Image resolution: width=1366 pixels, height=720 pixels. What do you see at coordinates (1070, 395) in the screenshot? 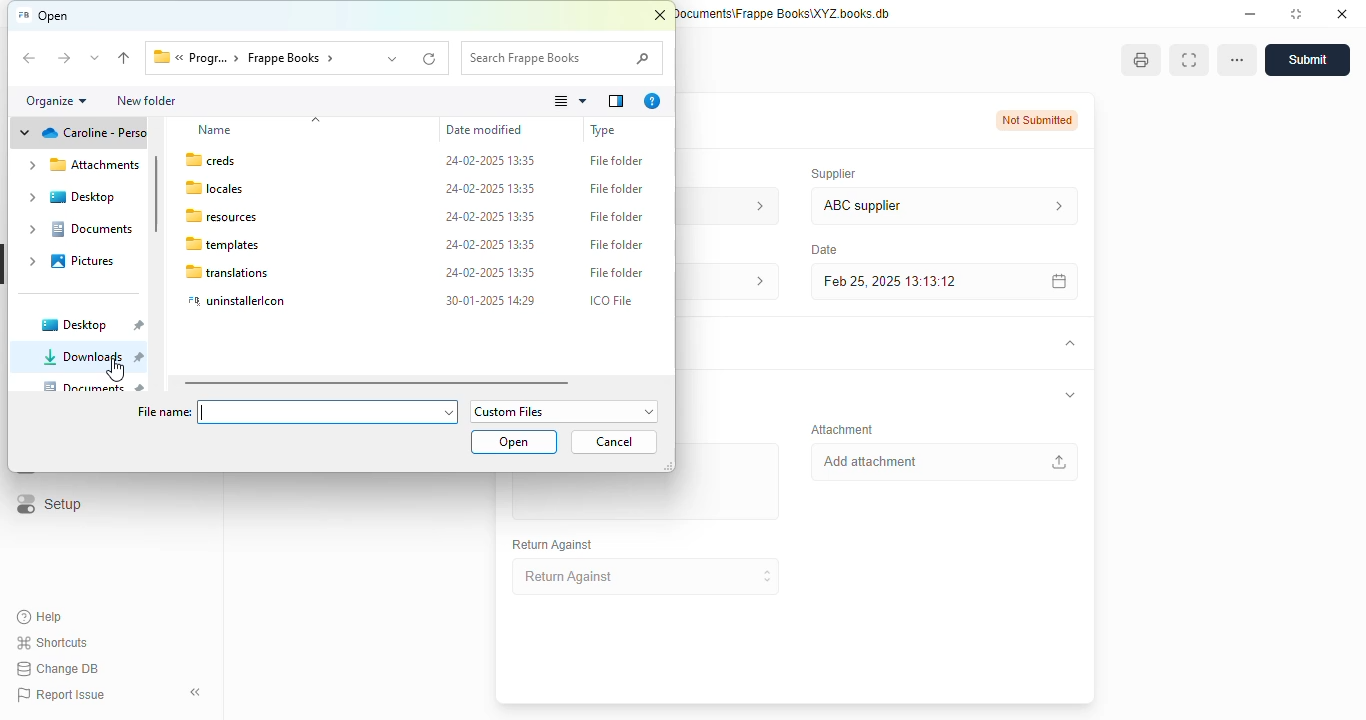
I see `toggle expand/collapse` at bounding box center [1070, 395].